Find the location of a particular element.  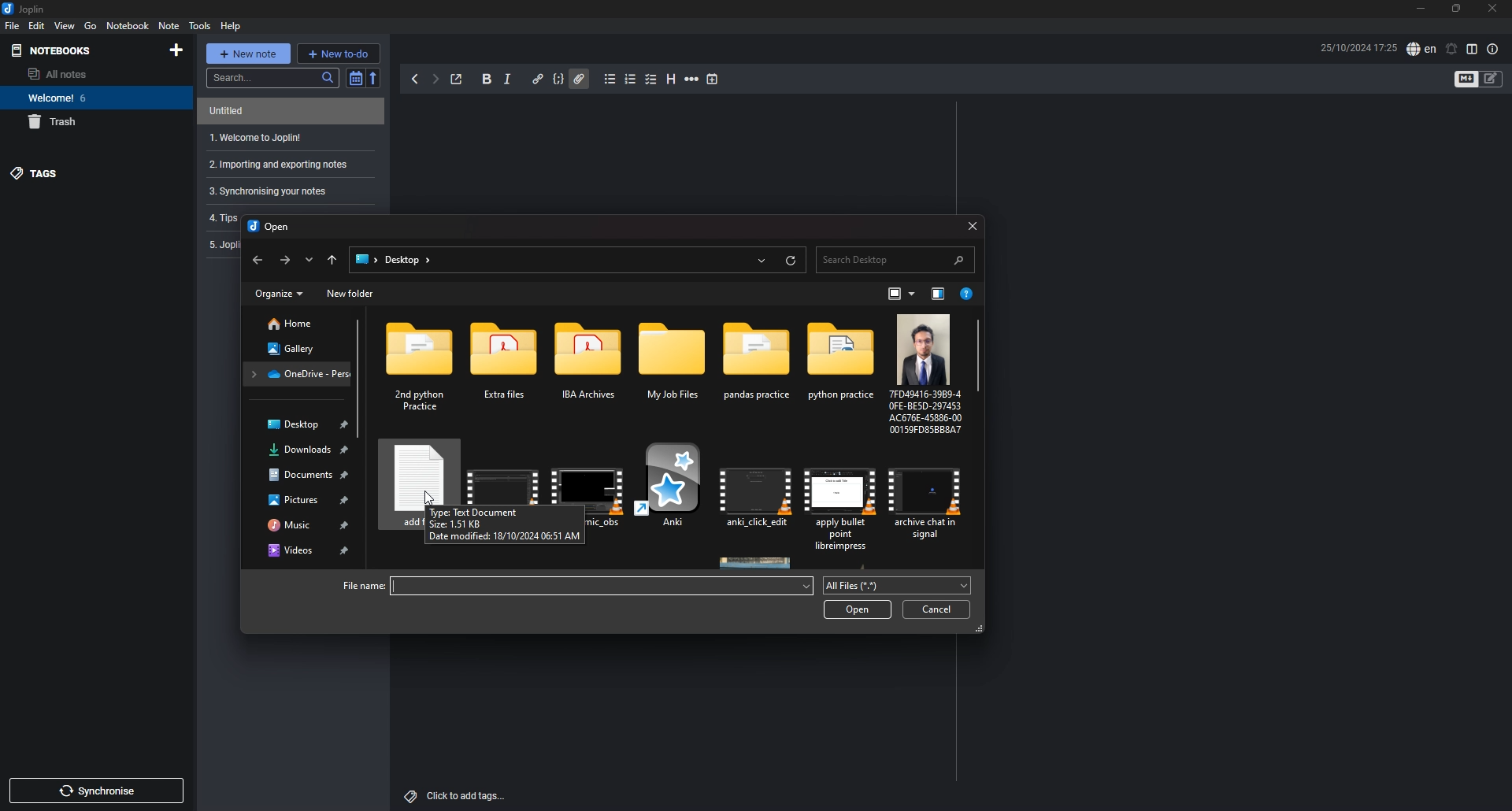

cancel is located at coordinates (936, 609).